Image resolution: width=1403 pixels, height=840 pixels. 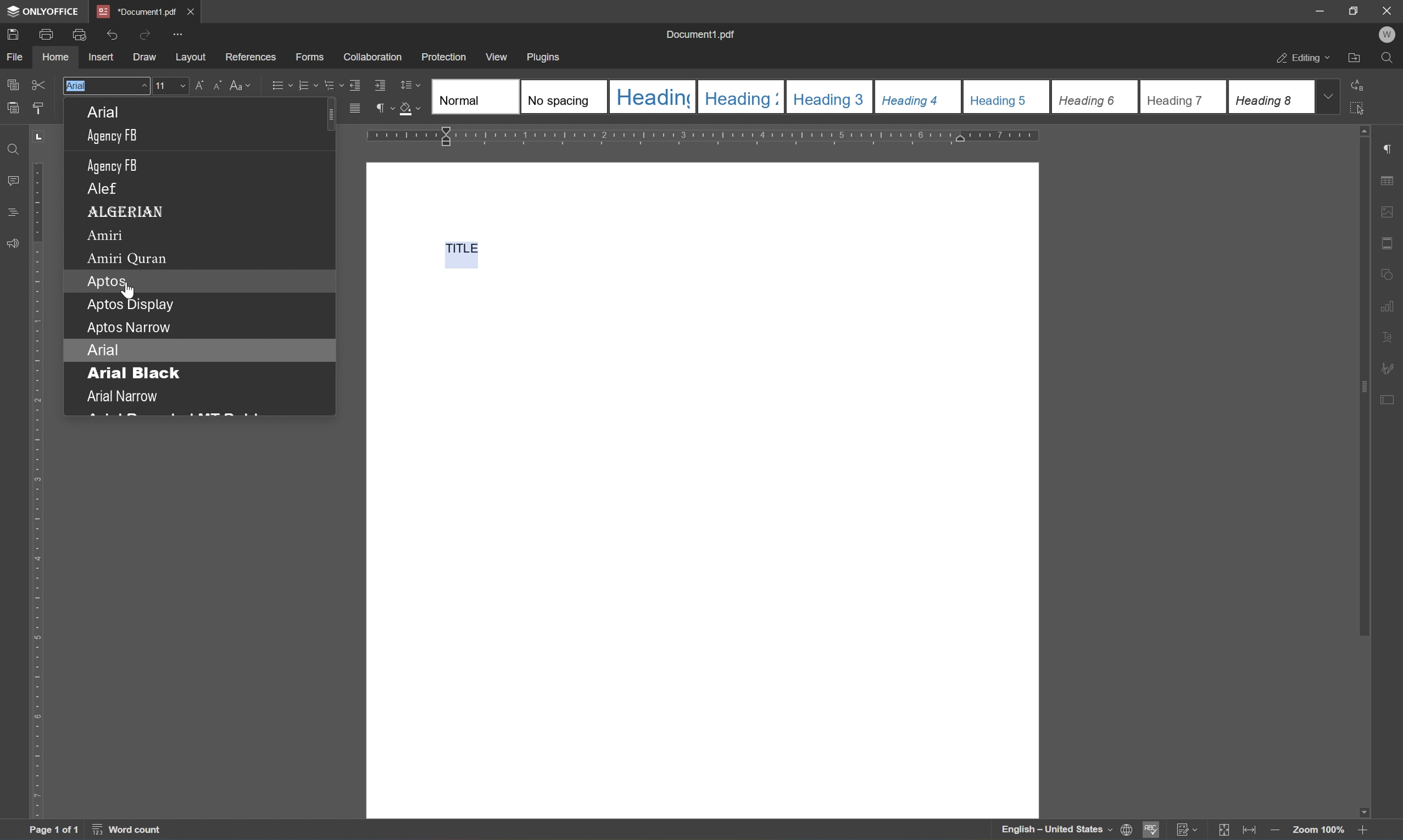 What do you see at coordinates (44, 12) in the screenshot?
I see `onlyoffice` at bounding box center [44, 12].